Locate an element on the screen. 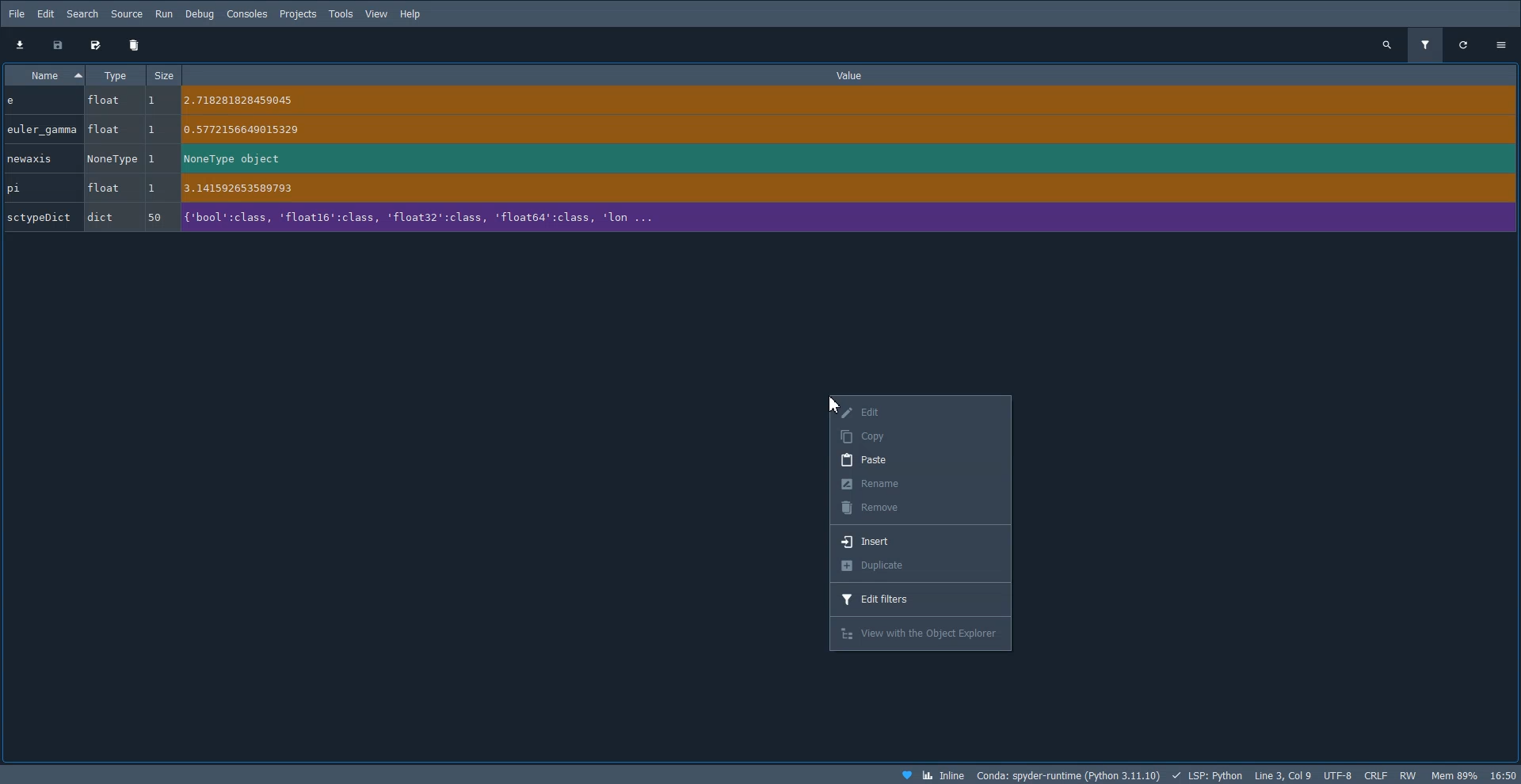  NoneType is located at coordinates (114, 160).